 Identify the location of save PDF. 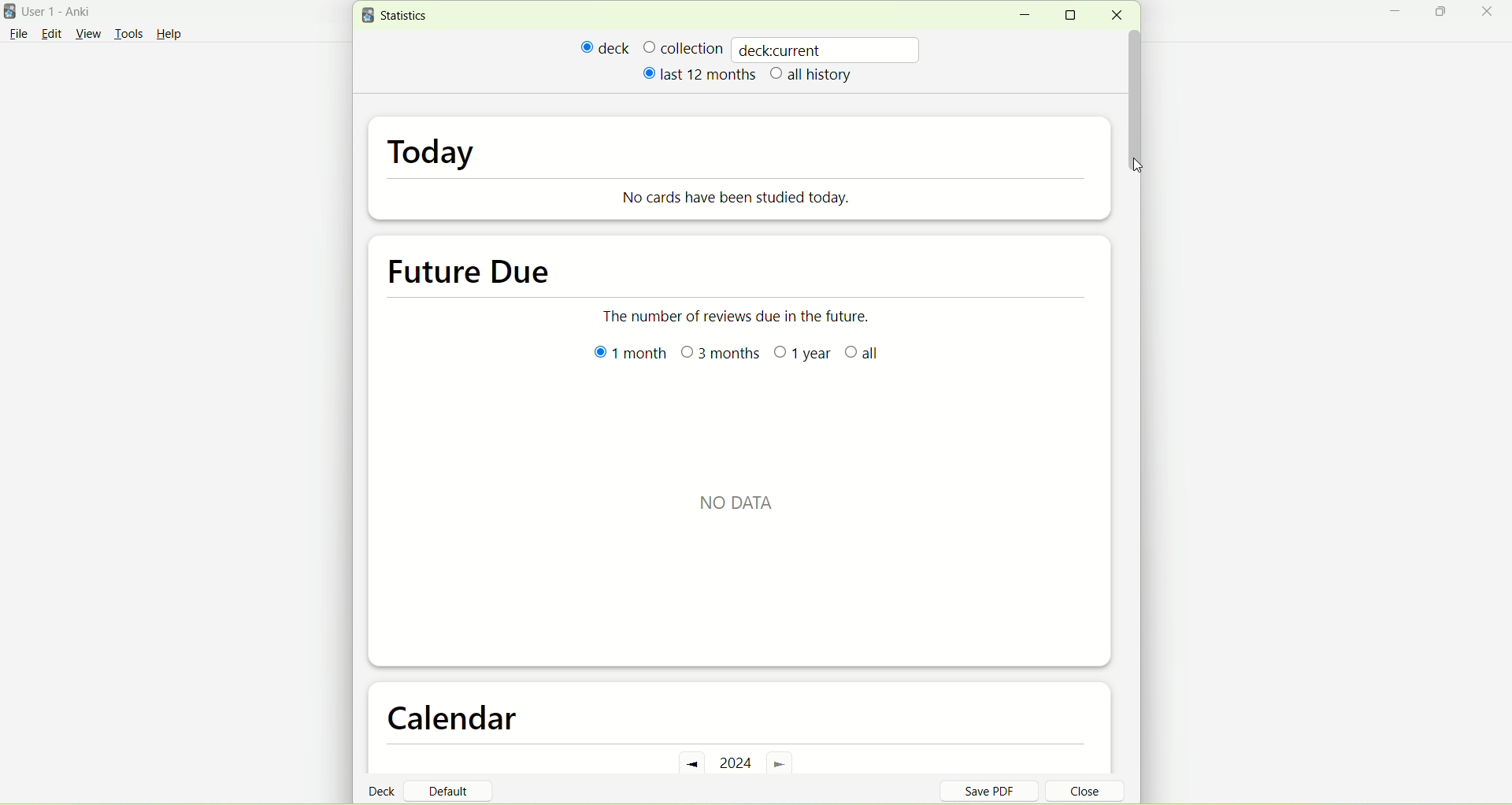
(999, 790).